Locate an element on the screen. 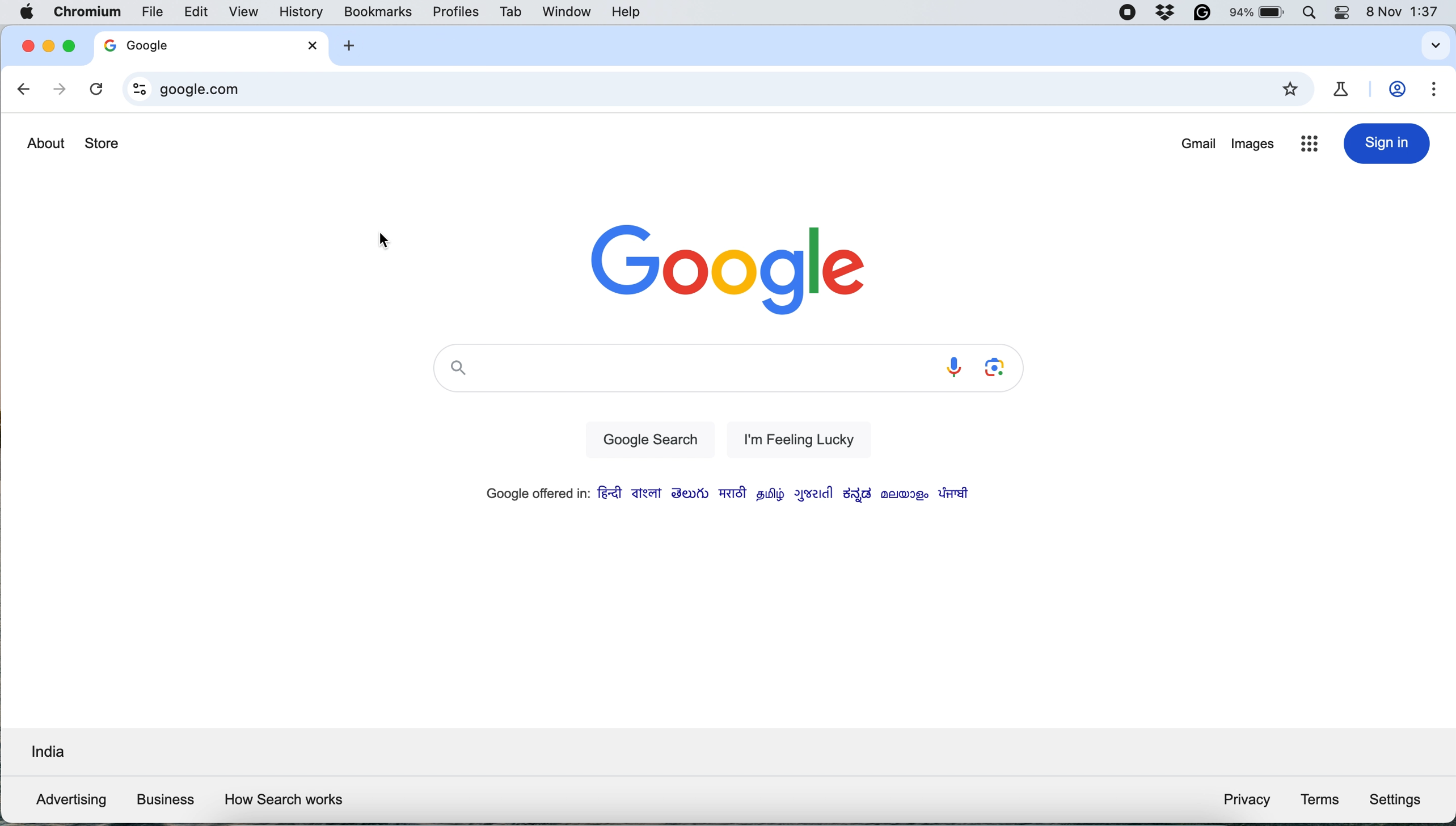 The width and height of the screenshot is (1456, 826). view site information is located at coordinates (136, 89).